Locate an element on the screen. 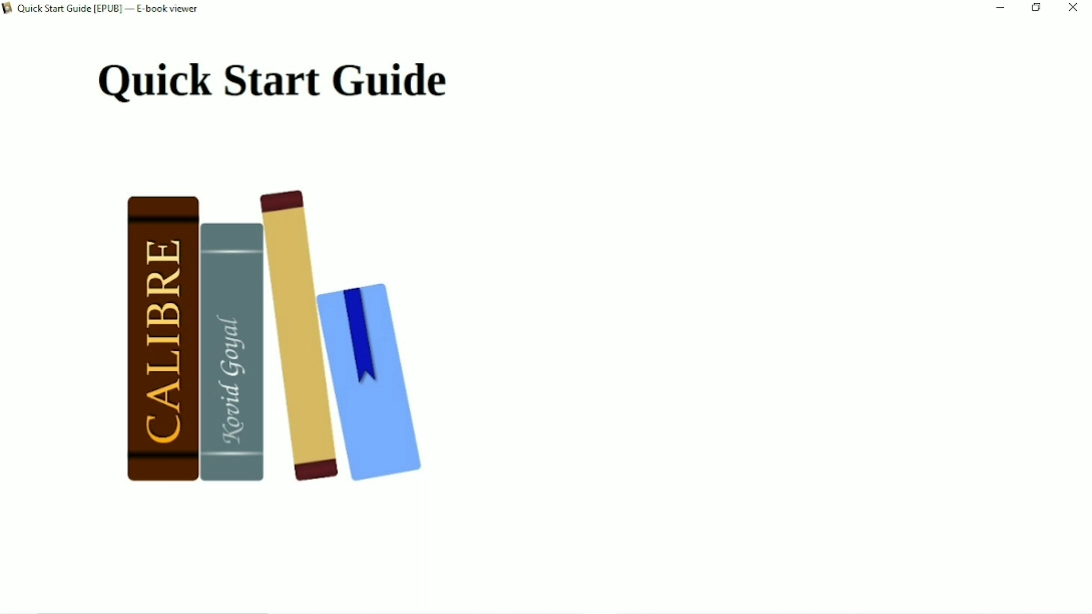 This screenshot has width=1092, height=614. logo is located at coordinates (8, 10).